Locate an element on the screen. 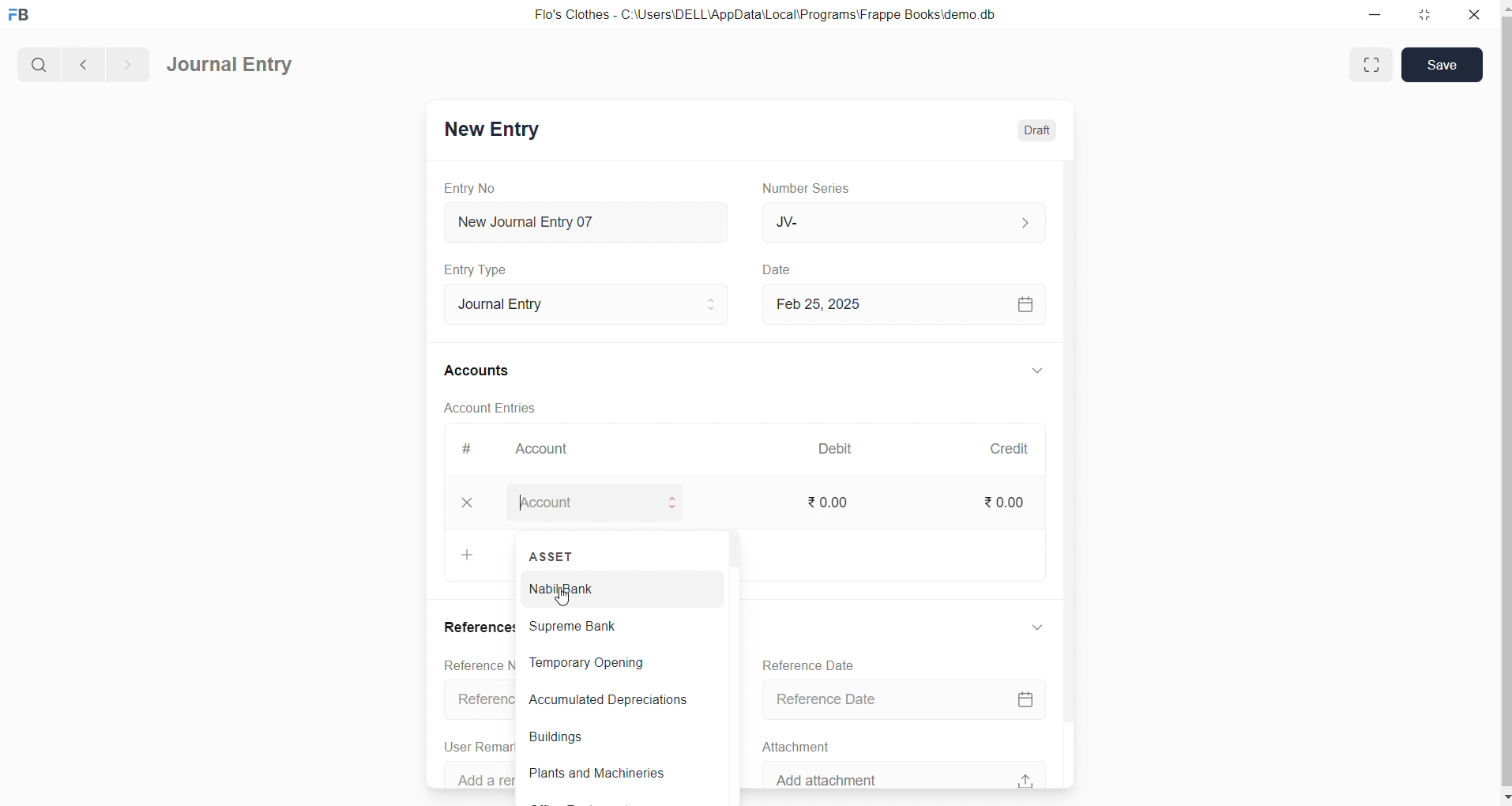 The width and height of the screenshot is (1512, 806). Account is located at coordinates (553, 450).